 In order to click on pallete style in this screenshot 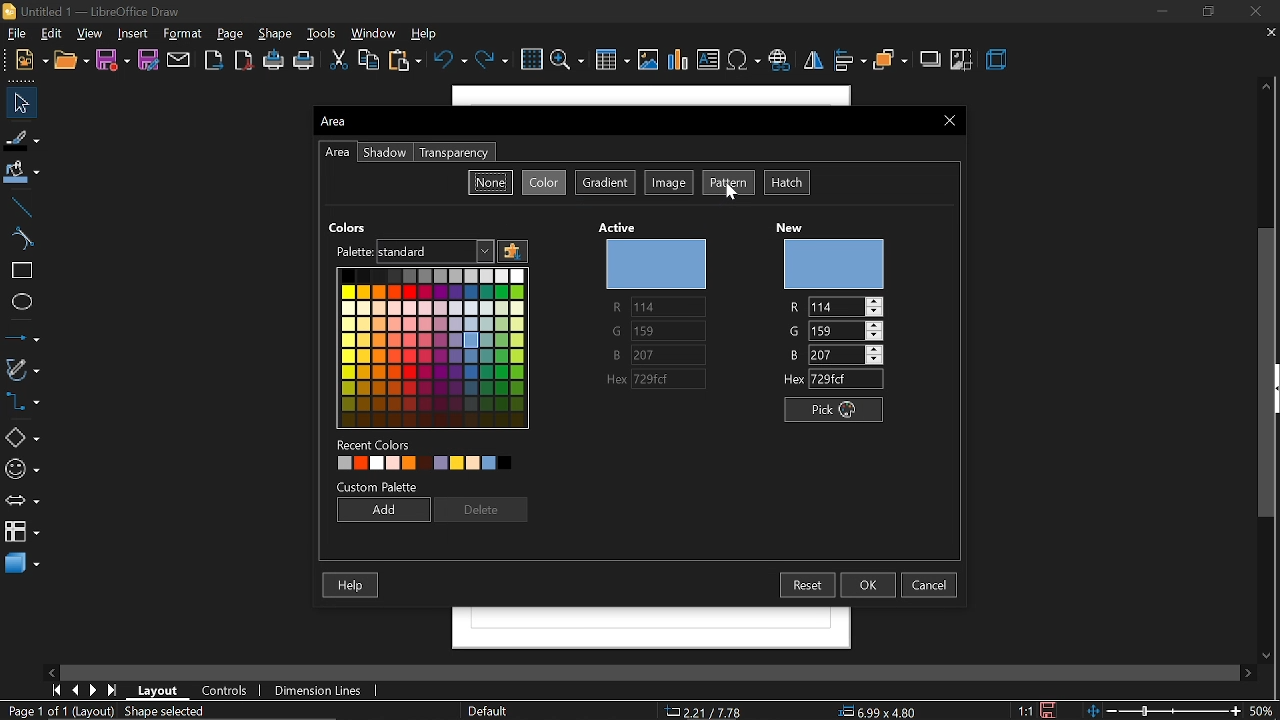, I will do `click(400, 251)`.